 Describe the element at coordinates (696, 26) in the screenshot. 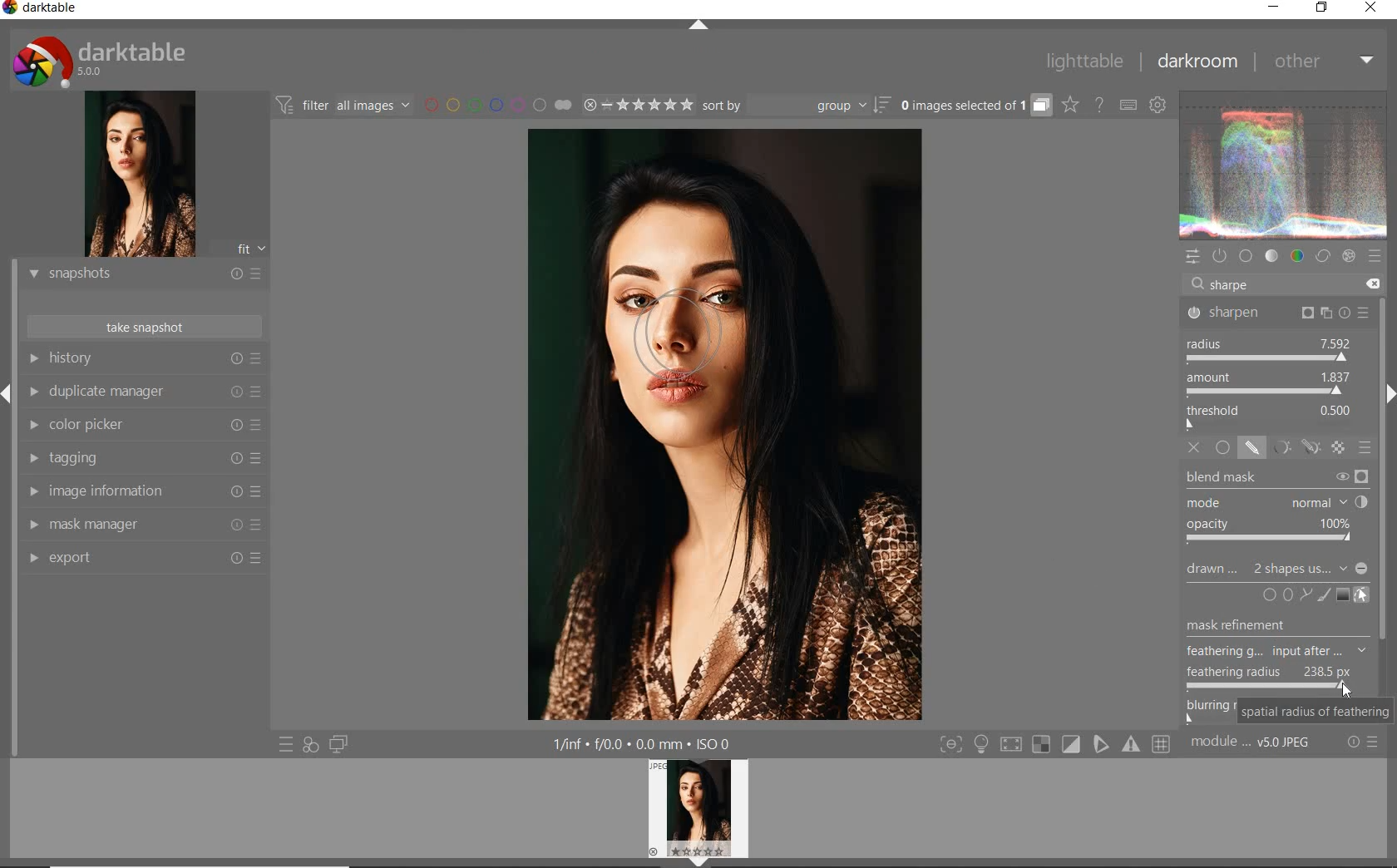

I see `EXPAND/COLLAPSE` at that location.